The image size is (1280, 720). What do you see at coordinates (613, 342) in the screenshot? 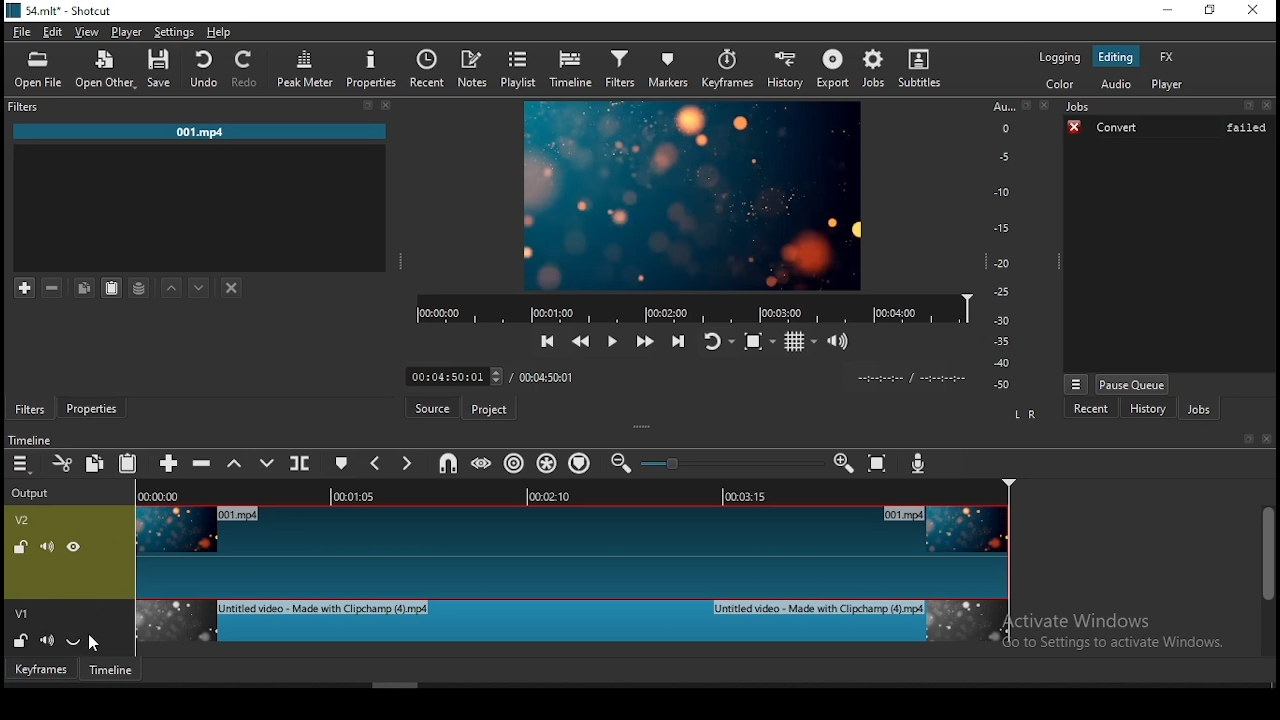
I see `play/pause` at bounding box center [613, 342].